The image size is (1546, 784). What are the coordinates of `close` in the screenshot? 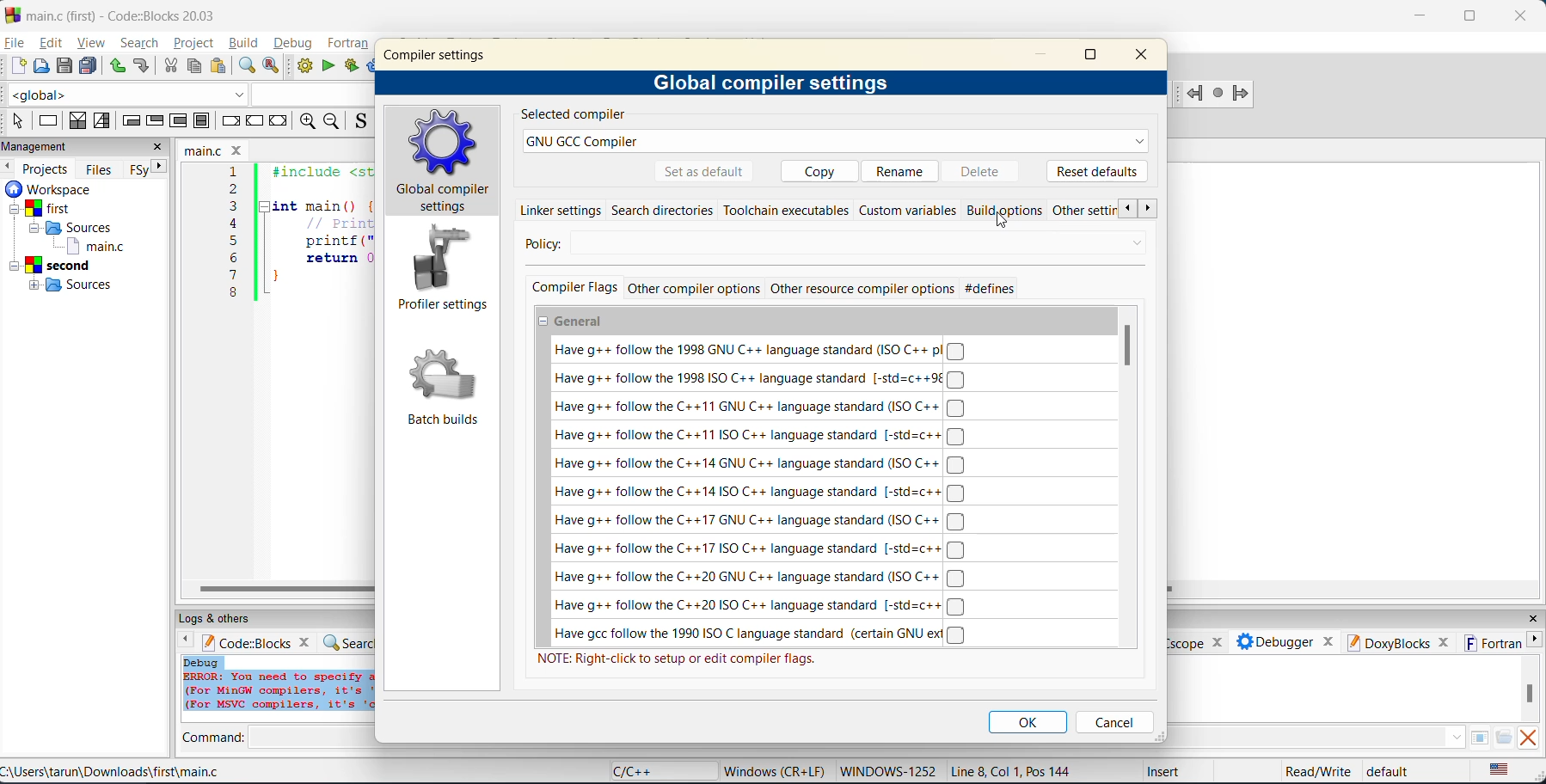 It's located at (1525, 14).